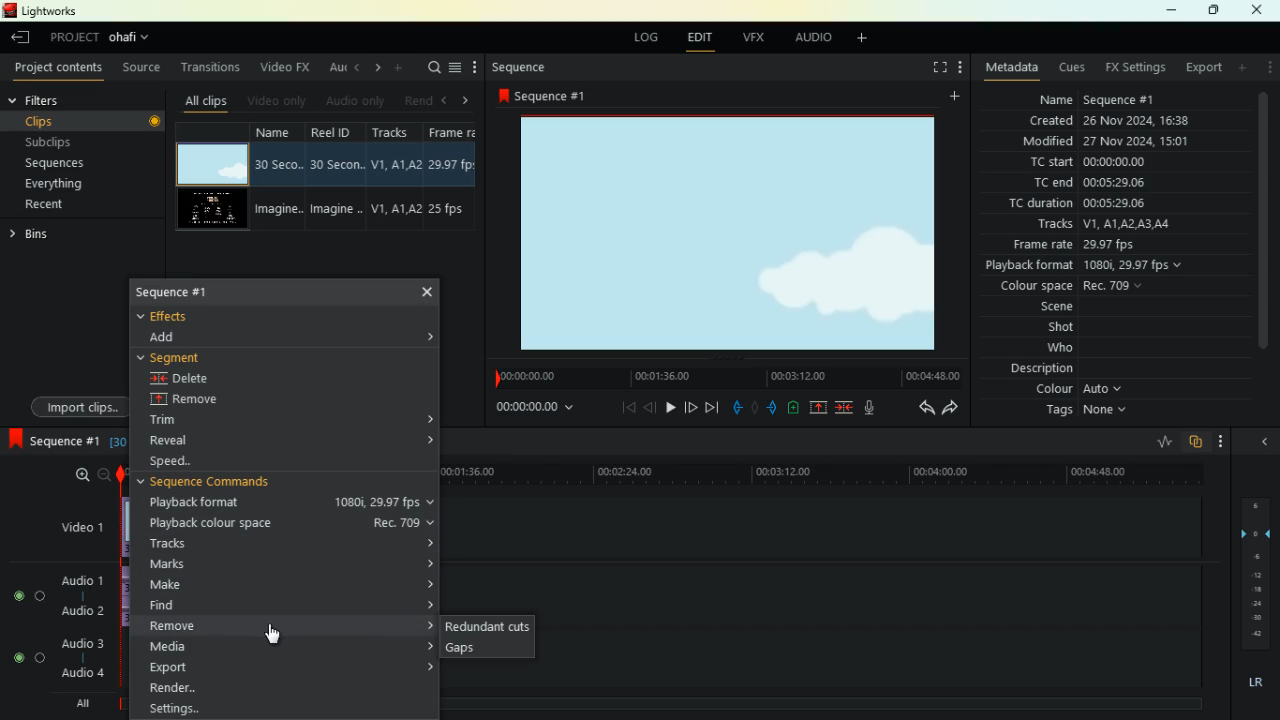 The height and width of the screenshot is (720, 1280). I want to click on right, so click(377, 68).